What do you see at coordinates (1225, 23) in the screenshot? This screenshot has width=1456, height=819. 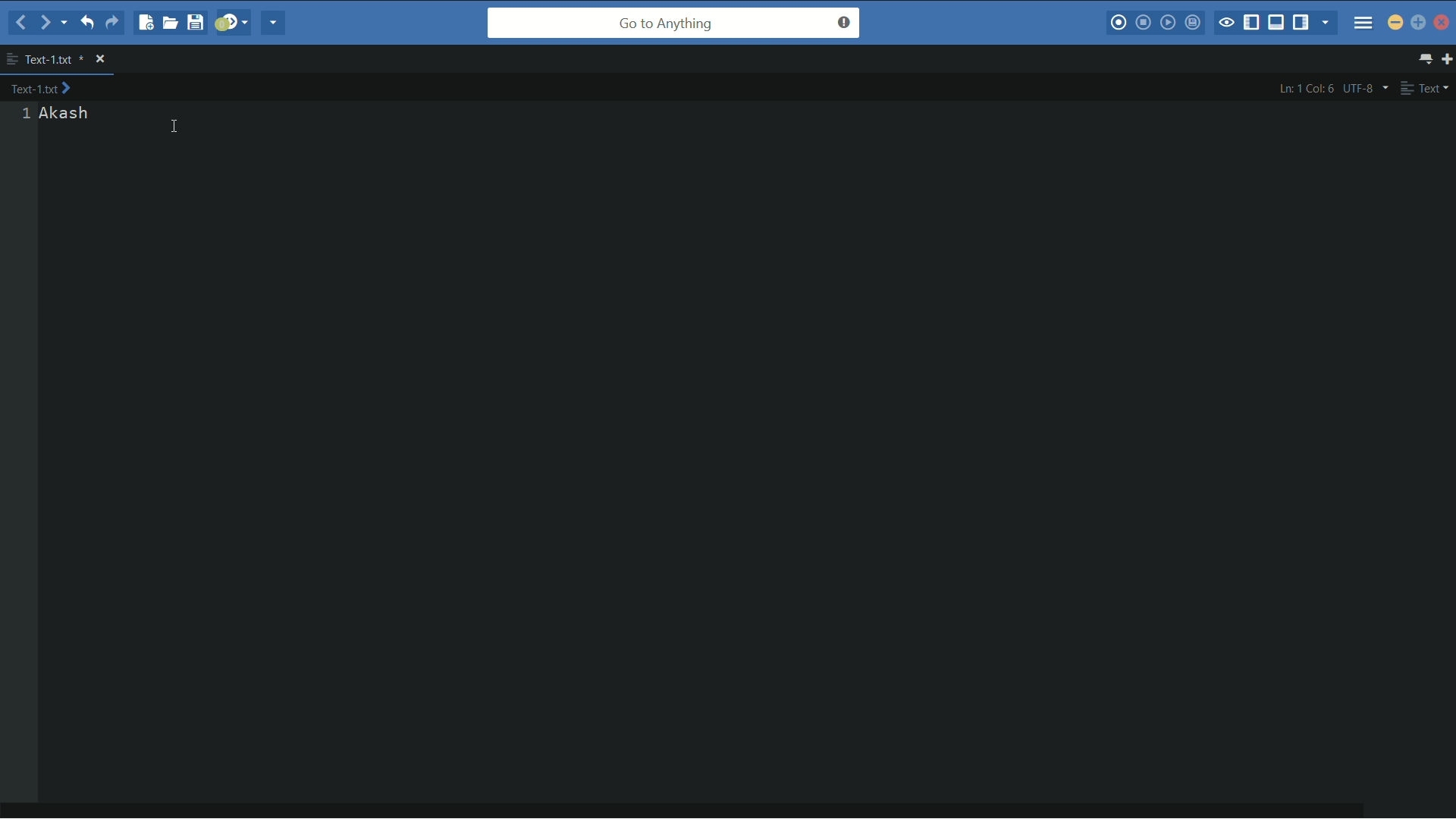 I see `toggle focus mode ` at bounding box center [1225, 23].